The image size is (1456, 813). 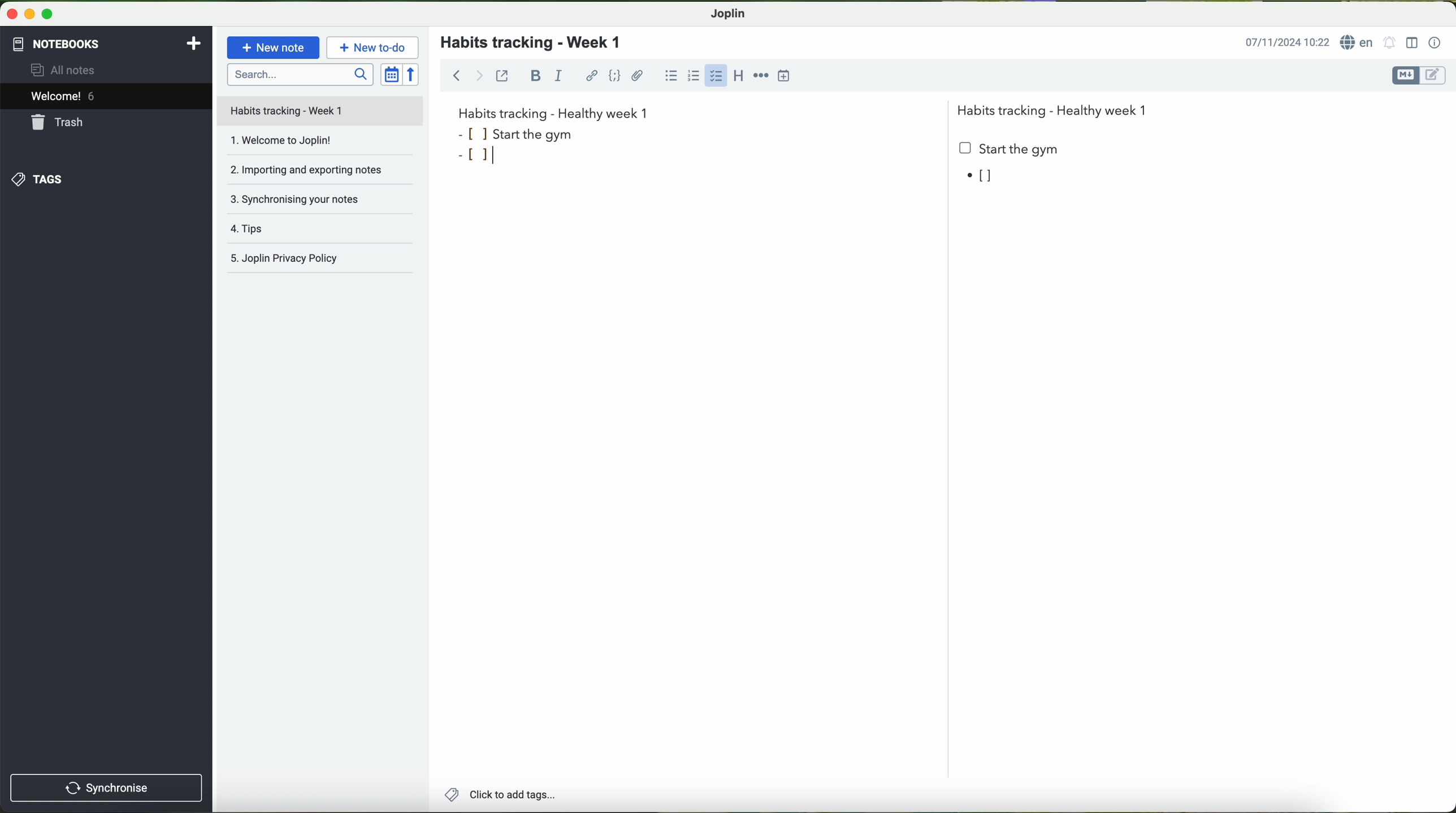 I want to click on code, so click(x=616, y=76).